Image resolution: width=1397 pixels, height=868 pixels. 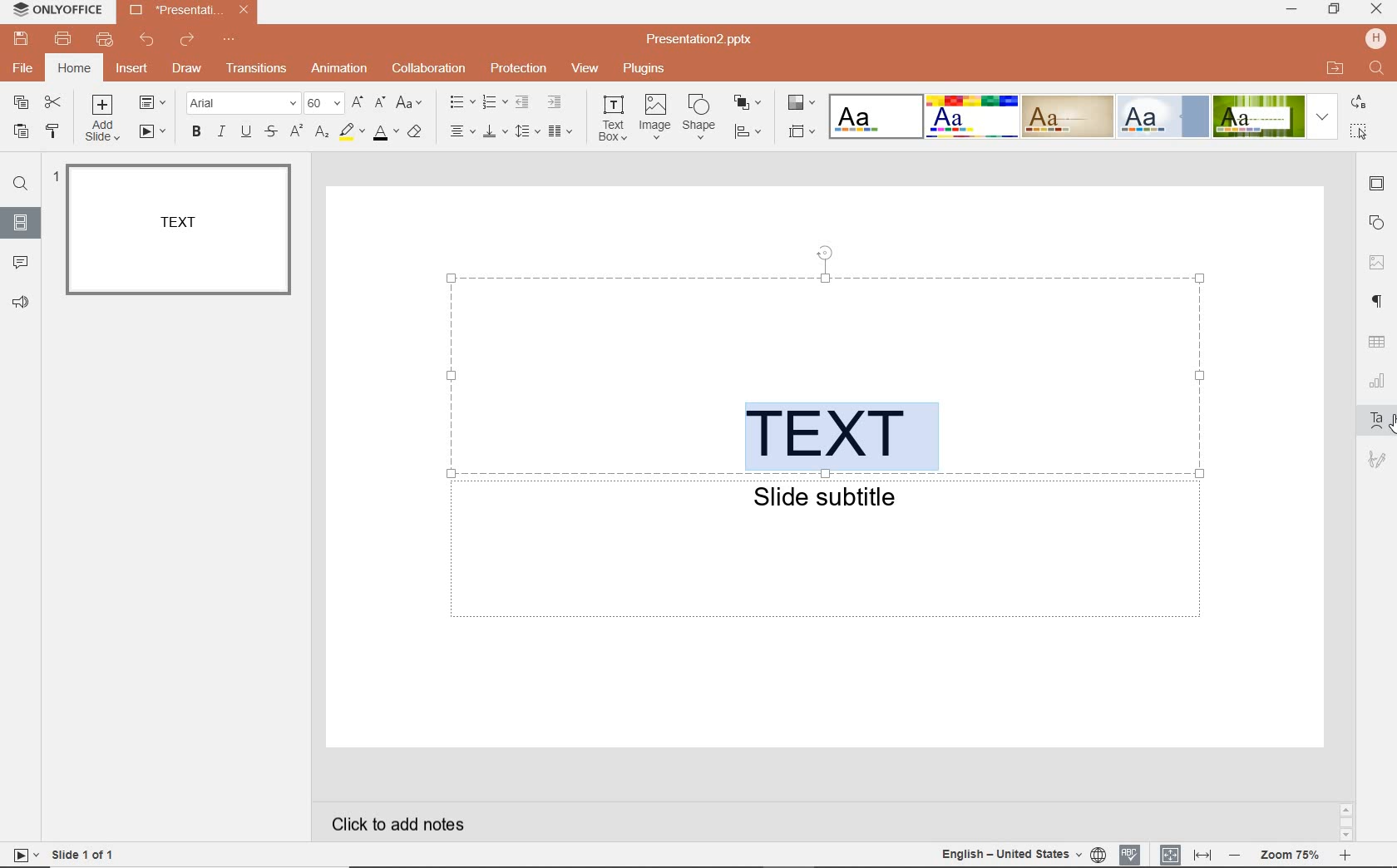 What do you see at coordinates (228, 42) in the screenshot?
I see `CUSTOMIZE QUICK ACCESS TOOLBAR` at bounding box center [228, 42].